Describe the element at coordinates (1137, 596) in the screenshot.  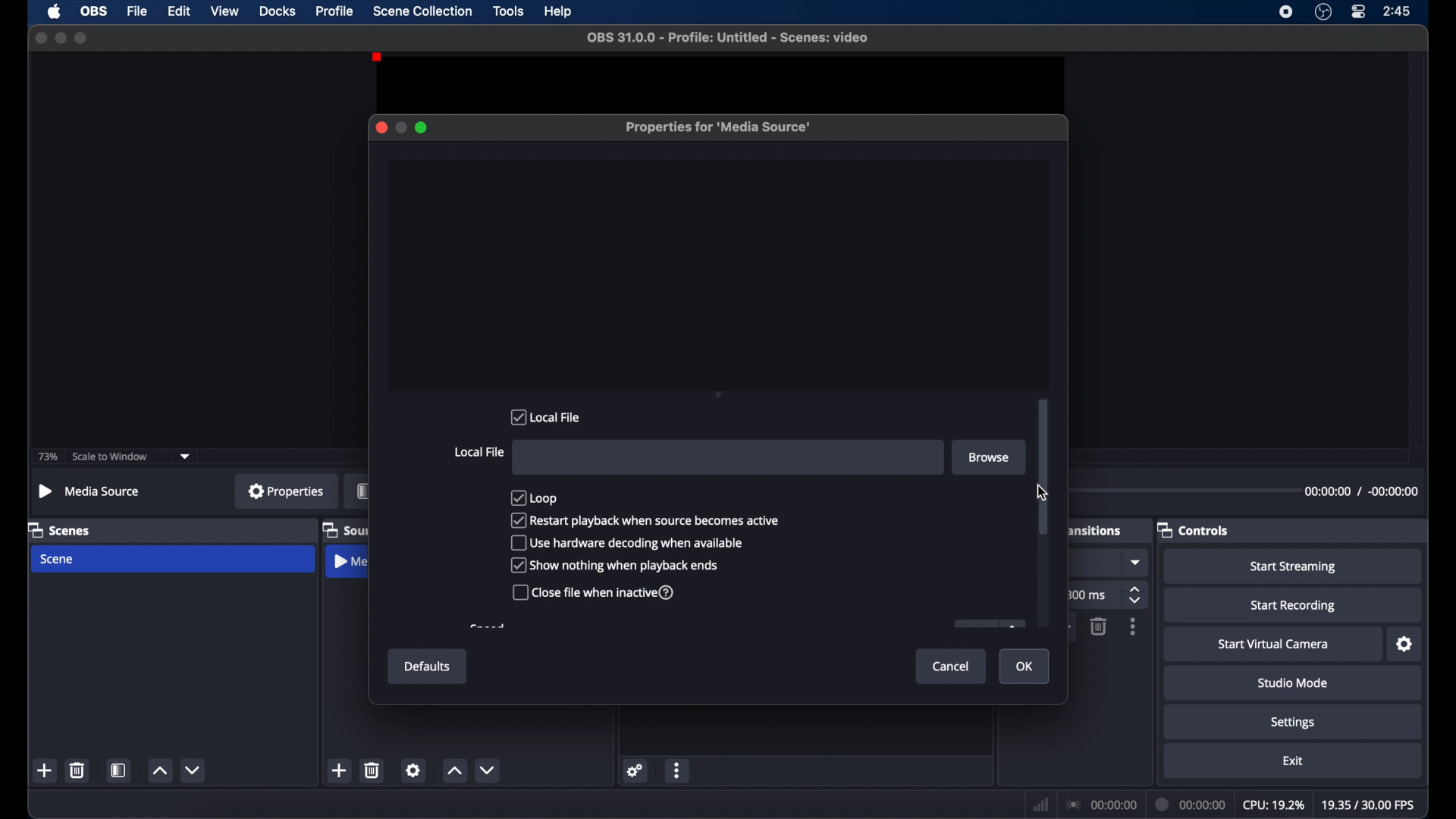
I see `stepper buttons` at that location.